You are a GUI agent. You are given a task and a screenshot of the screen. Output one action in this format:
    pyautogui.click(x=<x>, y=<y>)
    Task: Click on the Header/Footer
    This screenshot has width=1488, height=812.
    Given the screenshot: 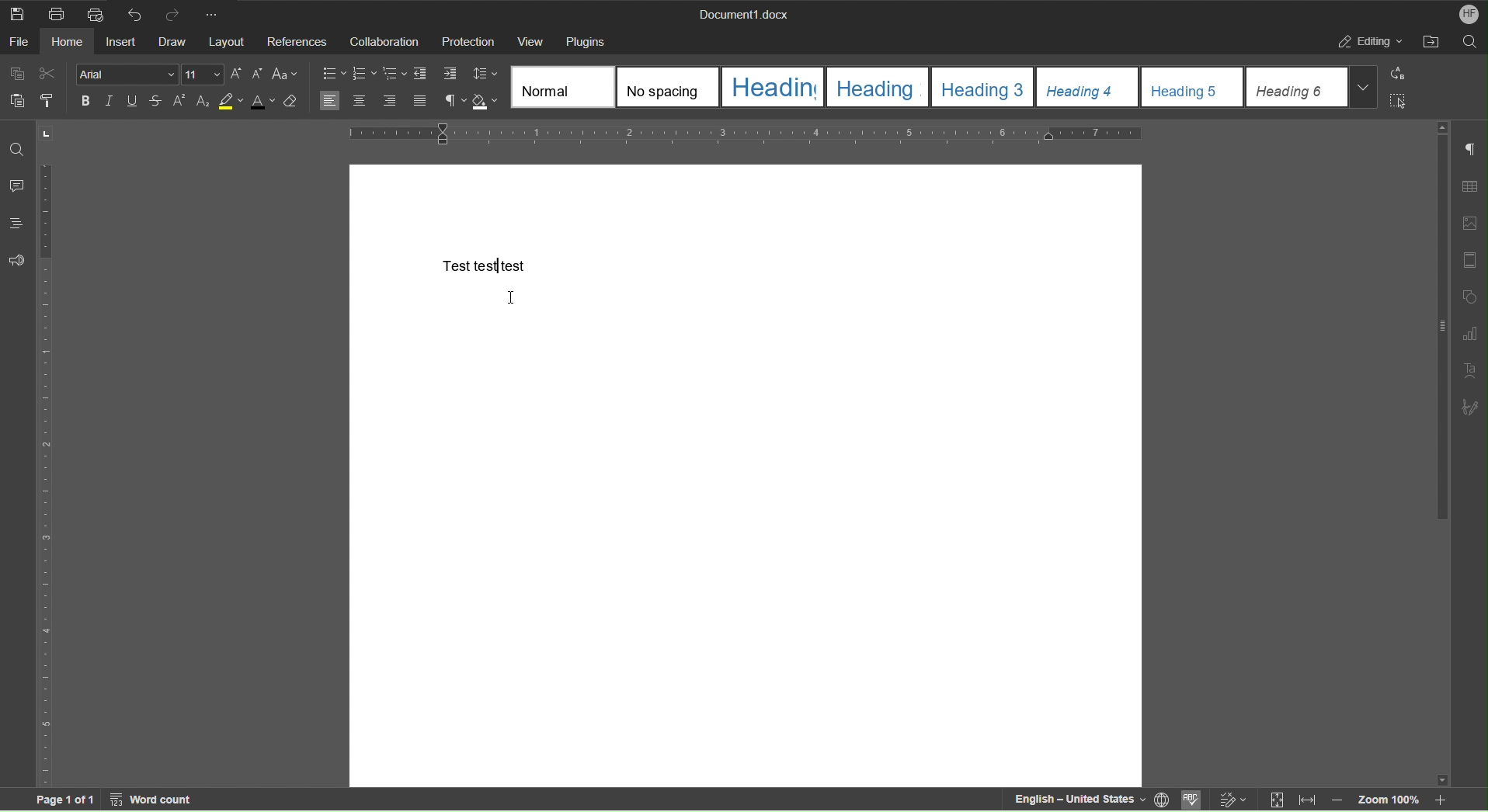 What is the action you would take?
    pyautogui.click(x=1471, y=260)
    